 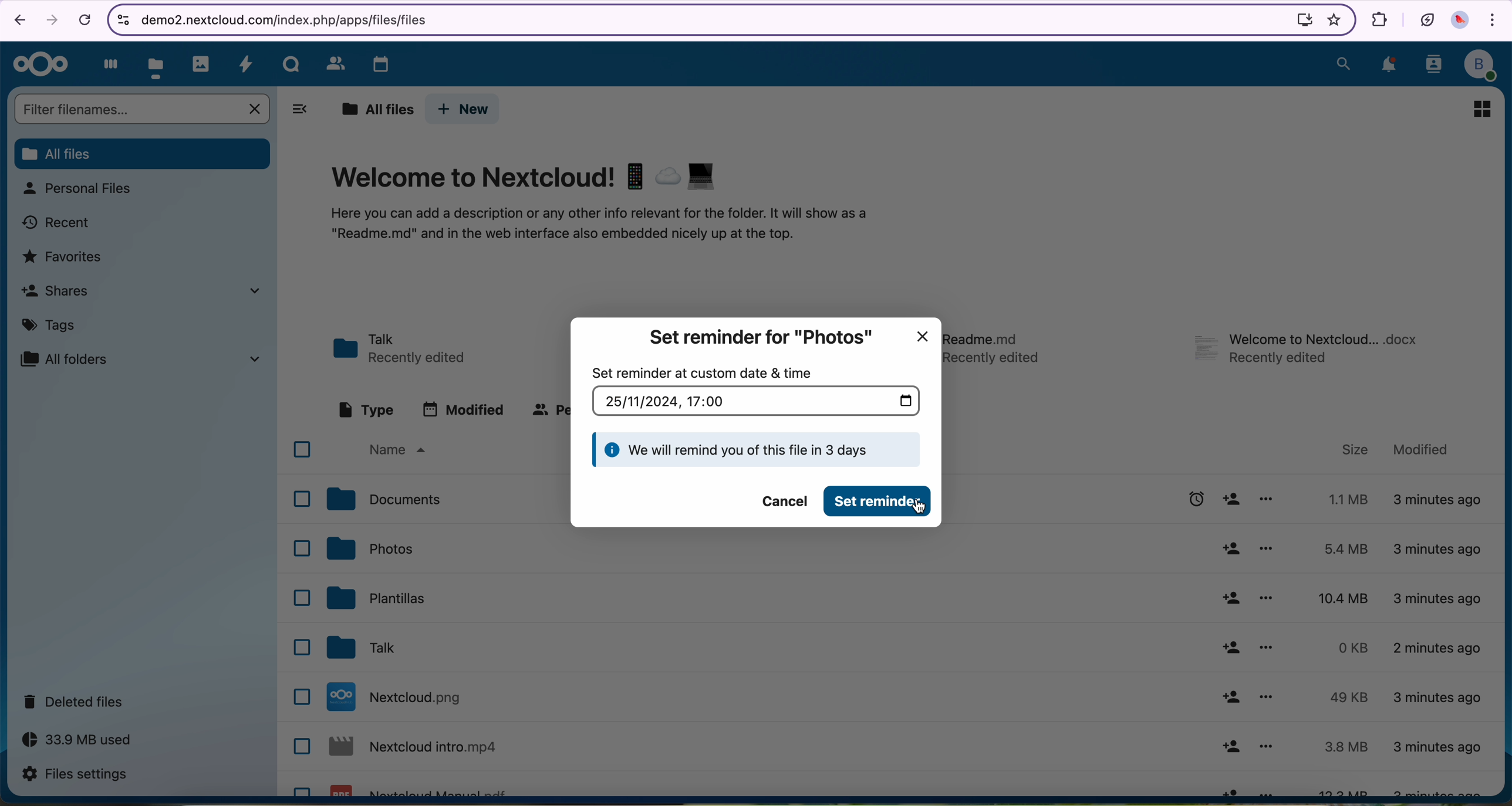 I want to click on 3 minutes ago, so click(x=1437, y=699).